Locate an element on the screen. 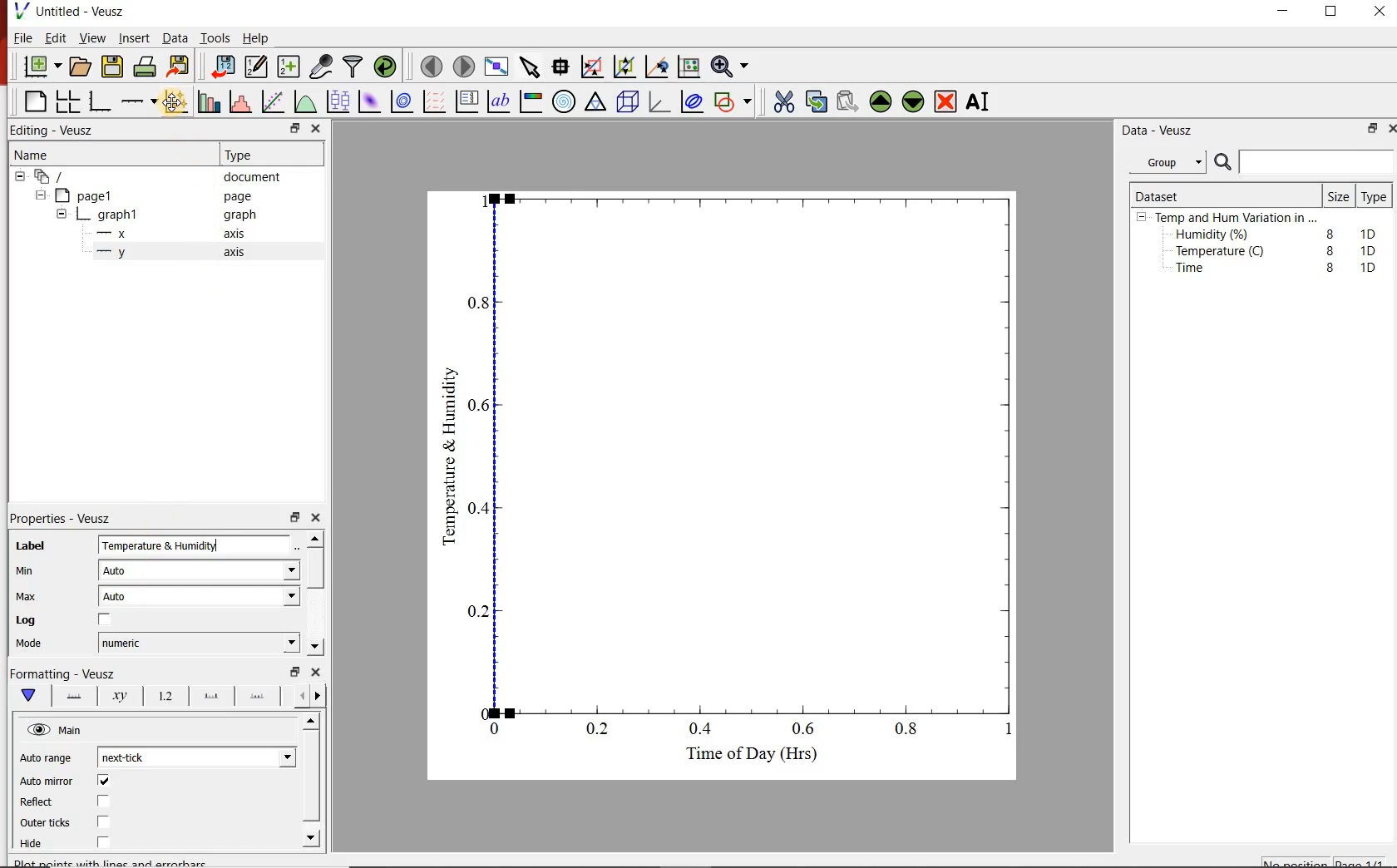  axis line is located at coordinates (75, 697).